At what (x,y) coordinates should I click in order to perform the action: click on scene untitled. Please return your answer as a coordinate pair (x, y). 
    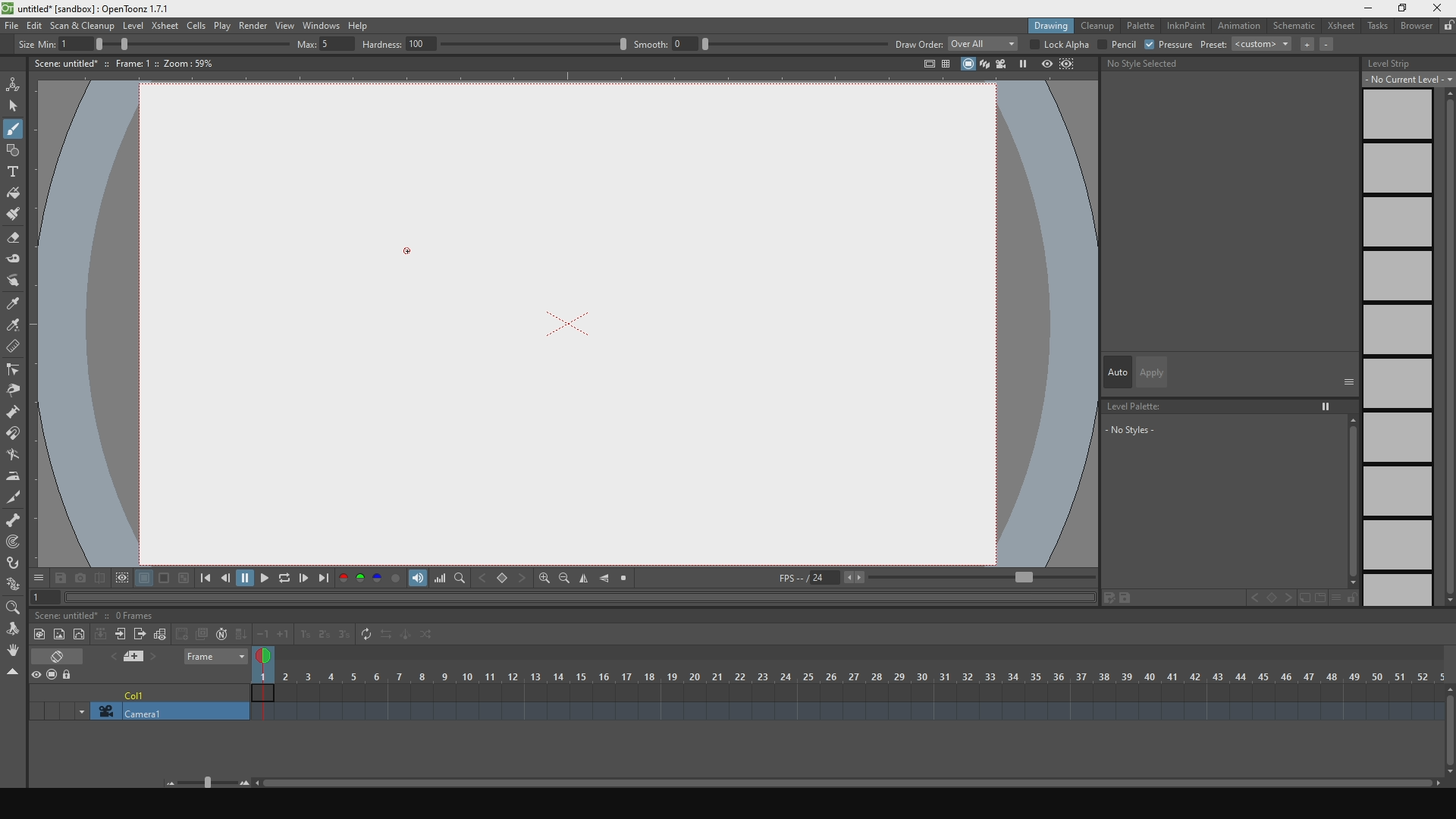
    Looking at the image, I should click on (70, 613).